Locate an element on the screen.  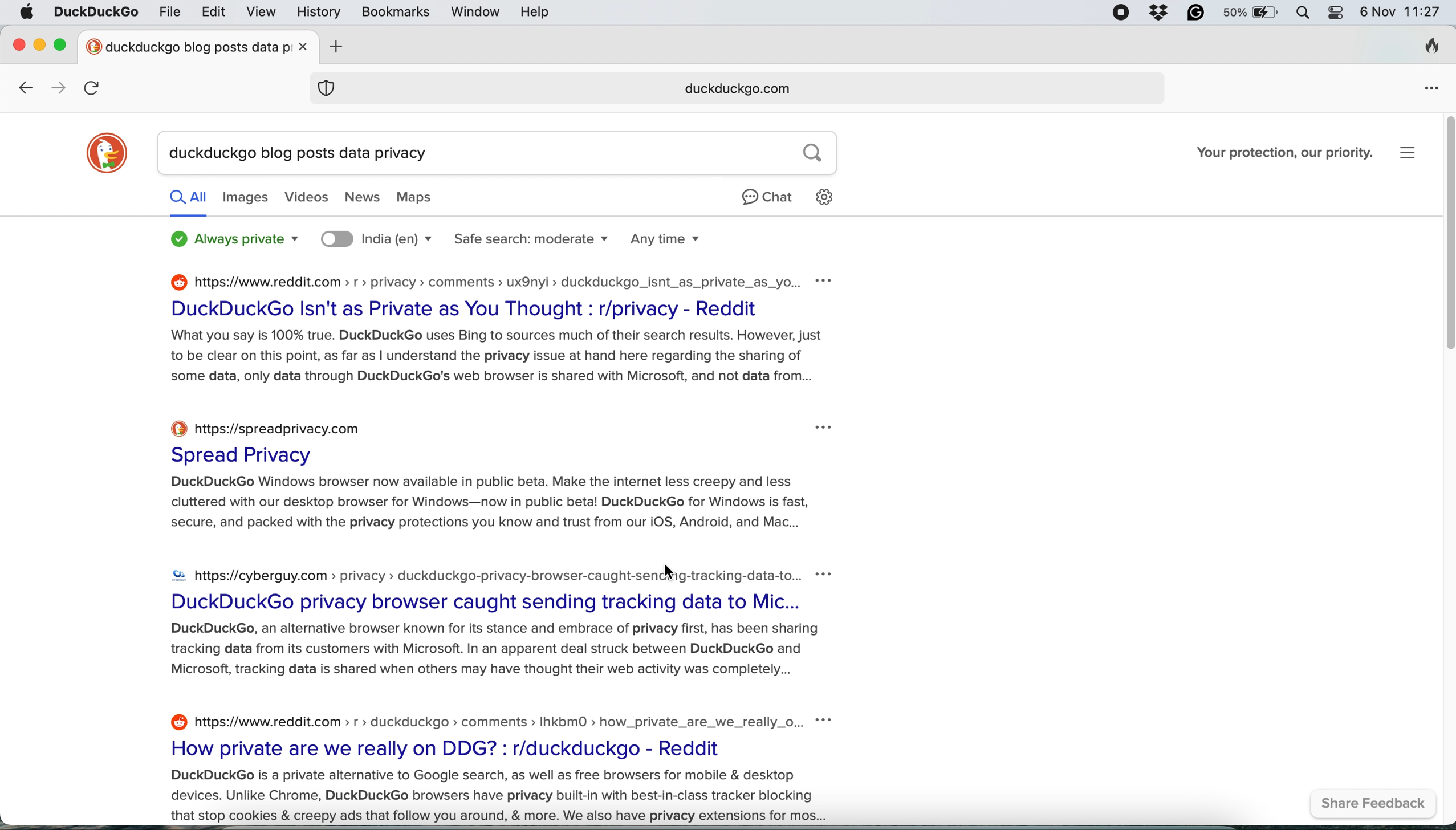
vertical scroll bar is located at coordinates (1441, 231).